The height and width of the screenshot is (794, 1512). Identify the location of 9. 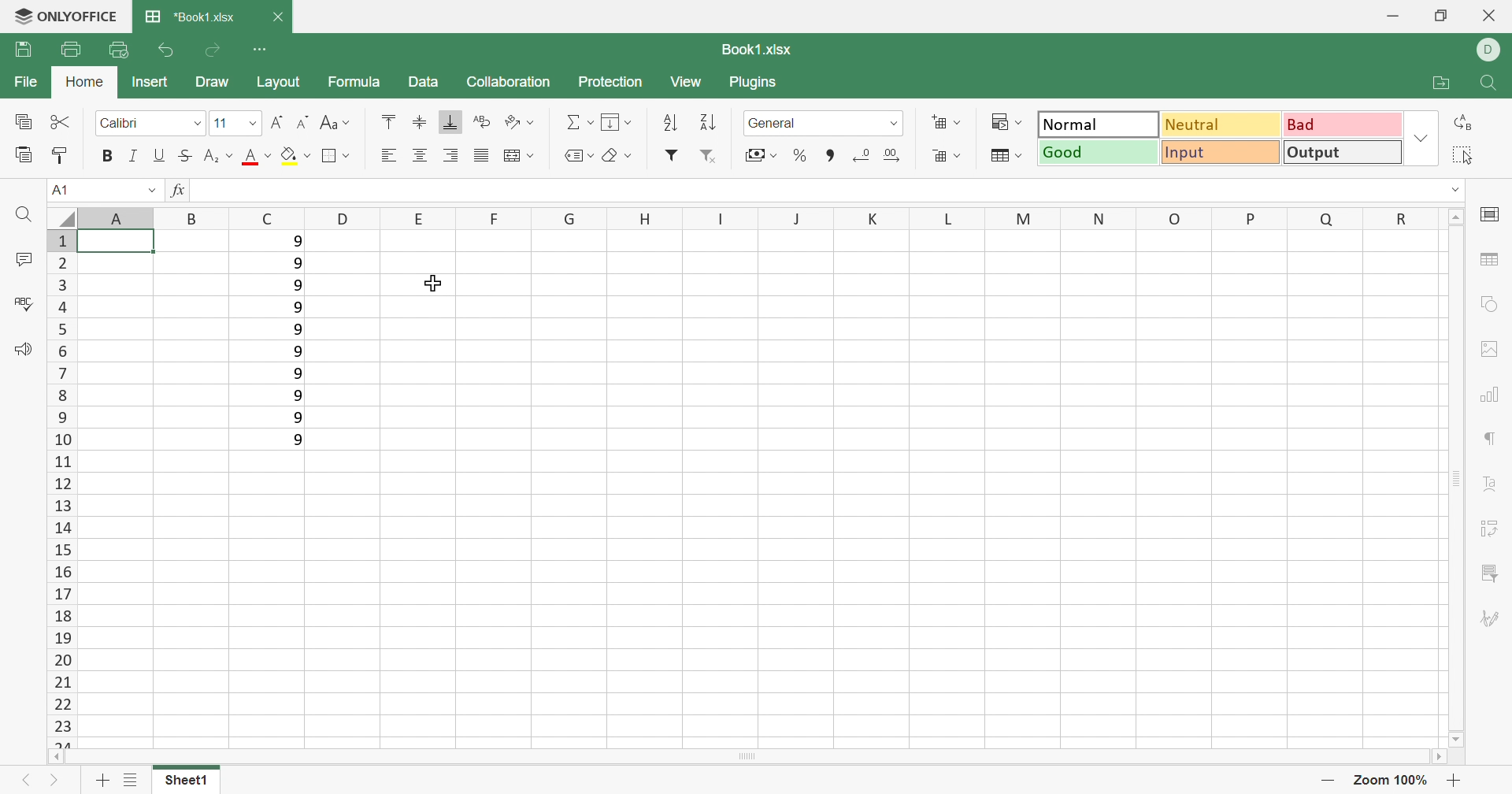
(299, 440).